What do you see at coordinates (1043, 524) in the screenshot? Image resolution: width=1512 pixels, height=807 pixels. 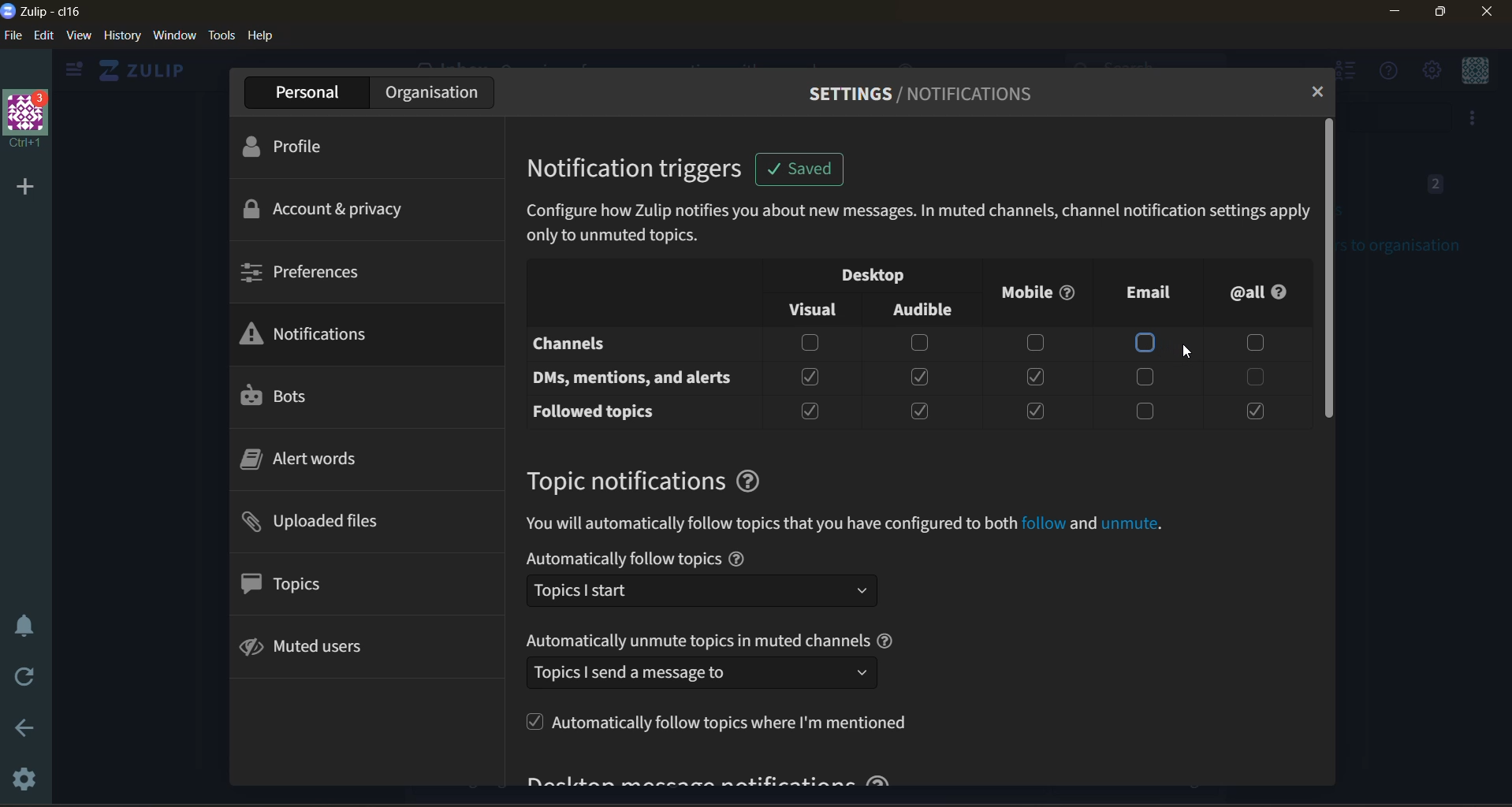 I see `` at bounding box center [1043, 524].